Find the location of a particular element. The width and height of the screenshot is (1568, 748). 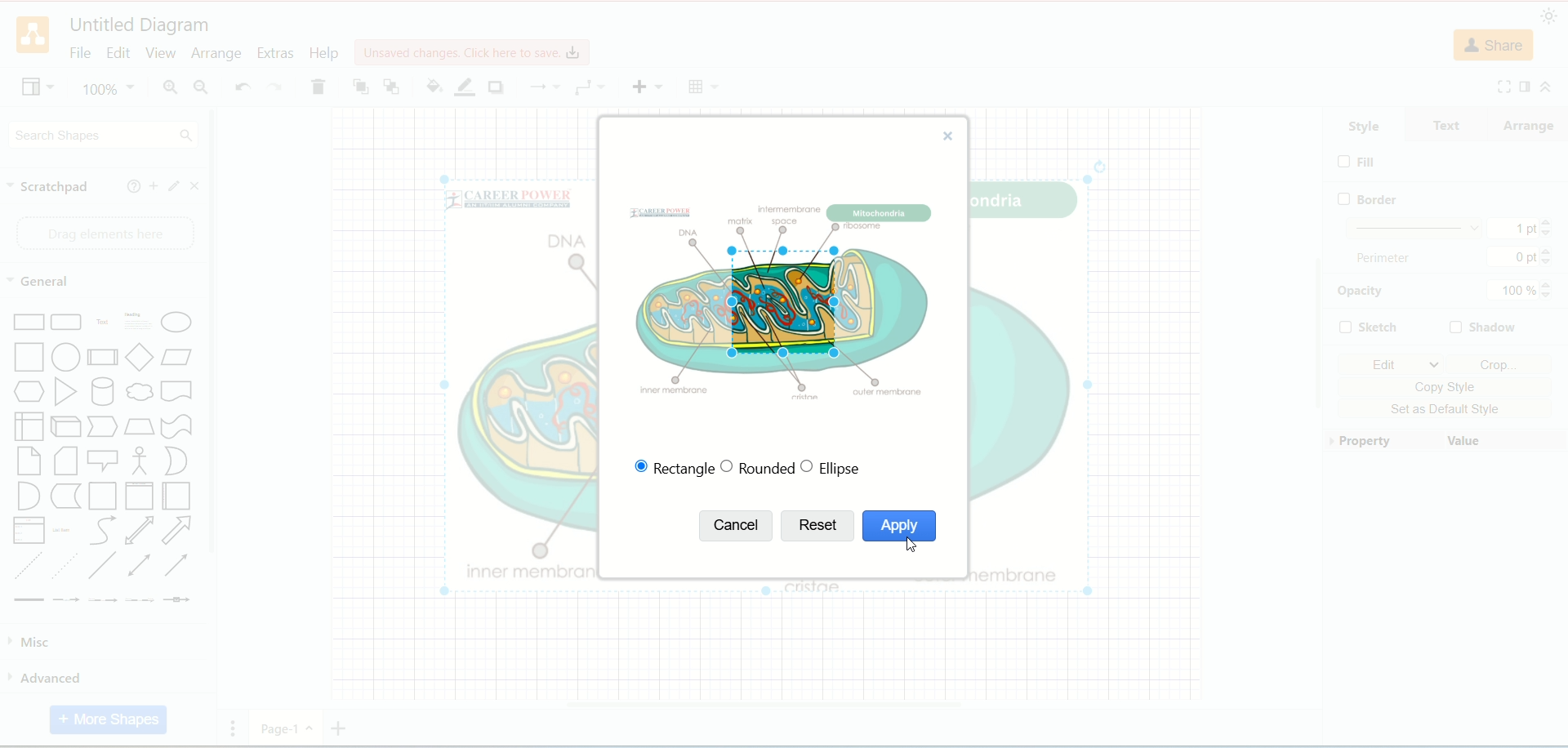

Curves is located at coordinates (106, 532).